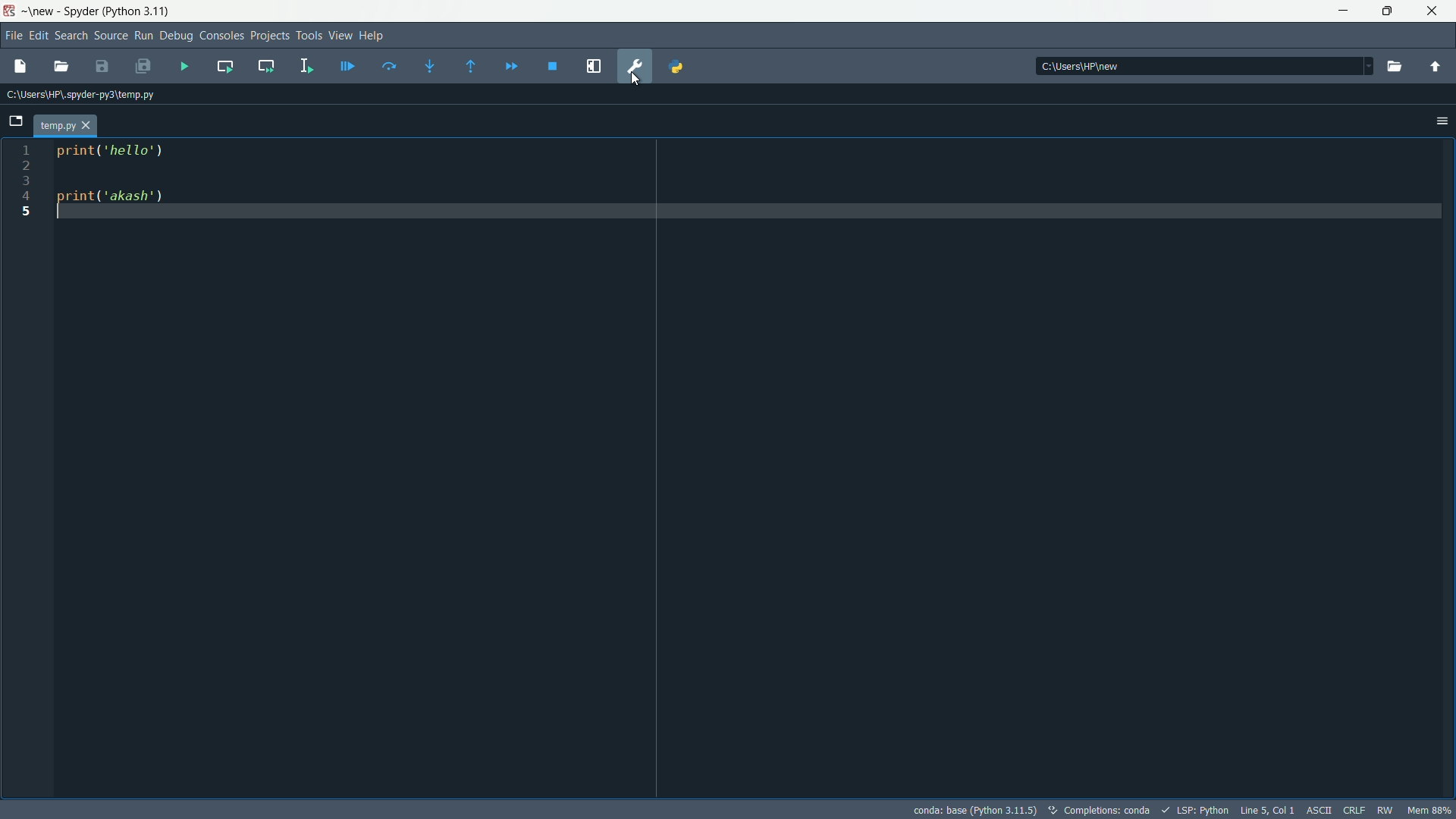 The height and width of the screenshot is (819, 1456). What do you see at coordinates (143, 65) in the screenshot?
I see `save all files` at bounding box center [143, 65].